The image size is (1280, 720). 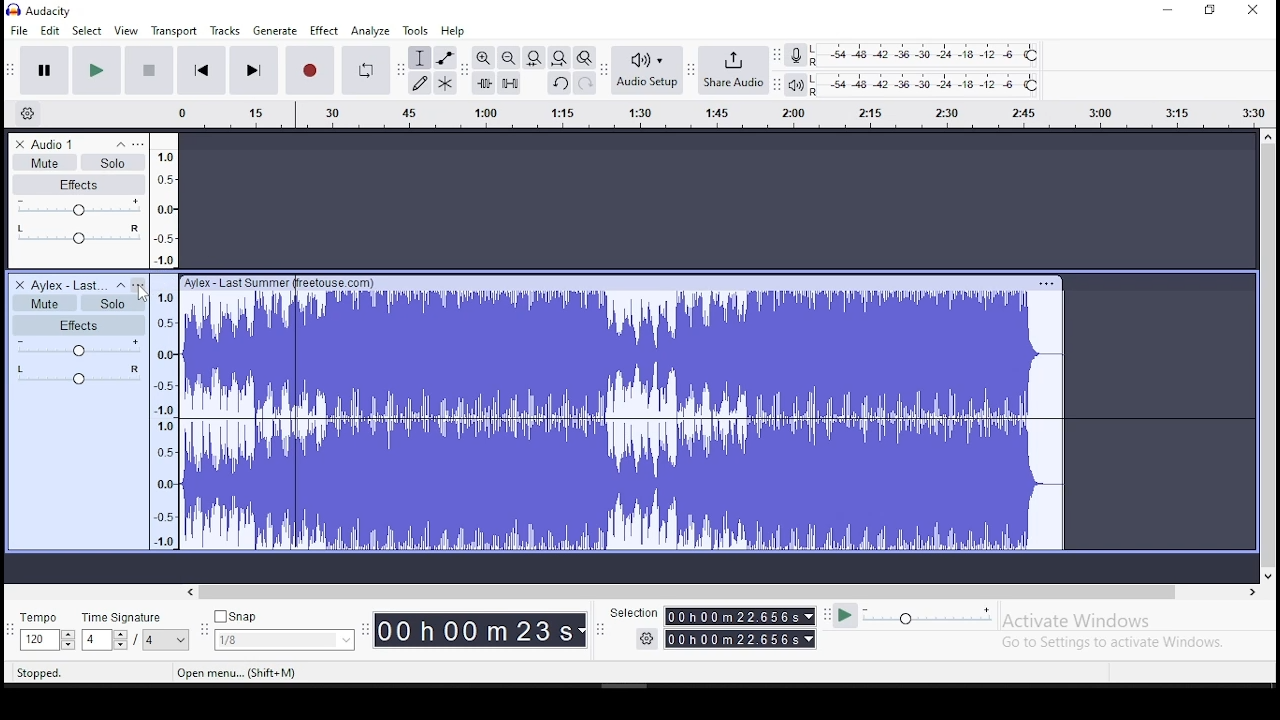 I want to click on analyze, so click(x=371, y=31).